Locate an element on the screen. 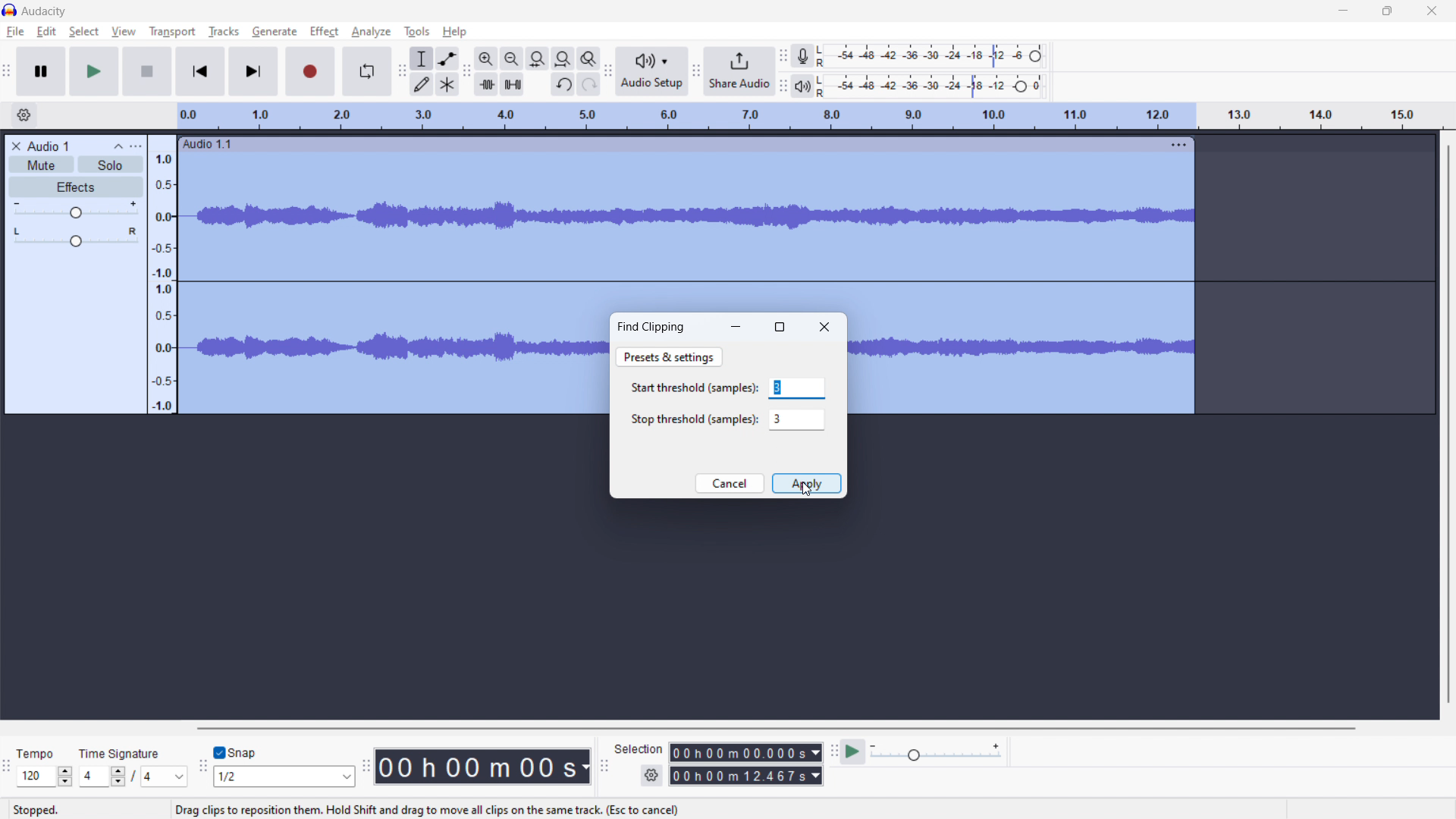  solo is located at coordinates (110, 165).